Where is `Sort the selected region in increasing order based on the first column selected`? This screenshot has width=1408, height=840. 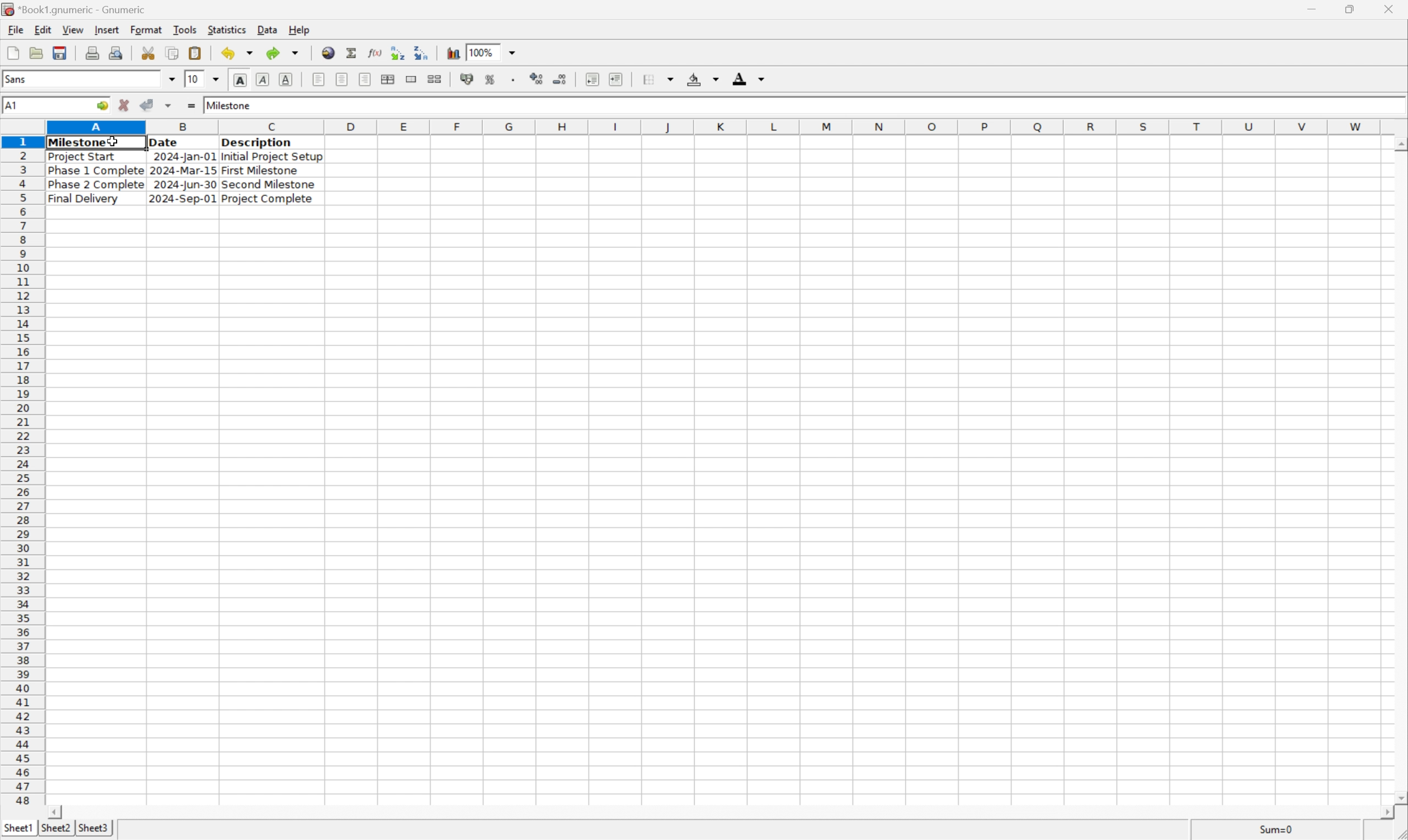 Sort the selected region in increasing order based on the first column selected is located at coordinates (395, 53).